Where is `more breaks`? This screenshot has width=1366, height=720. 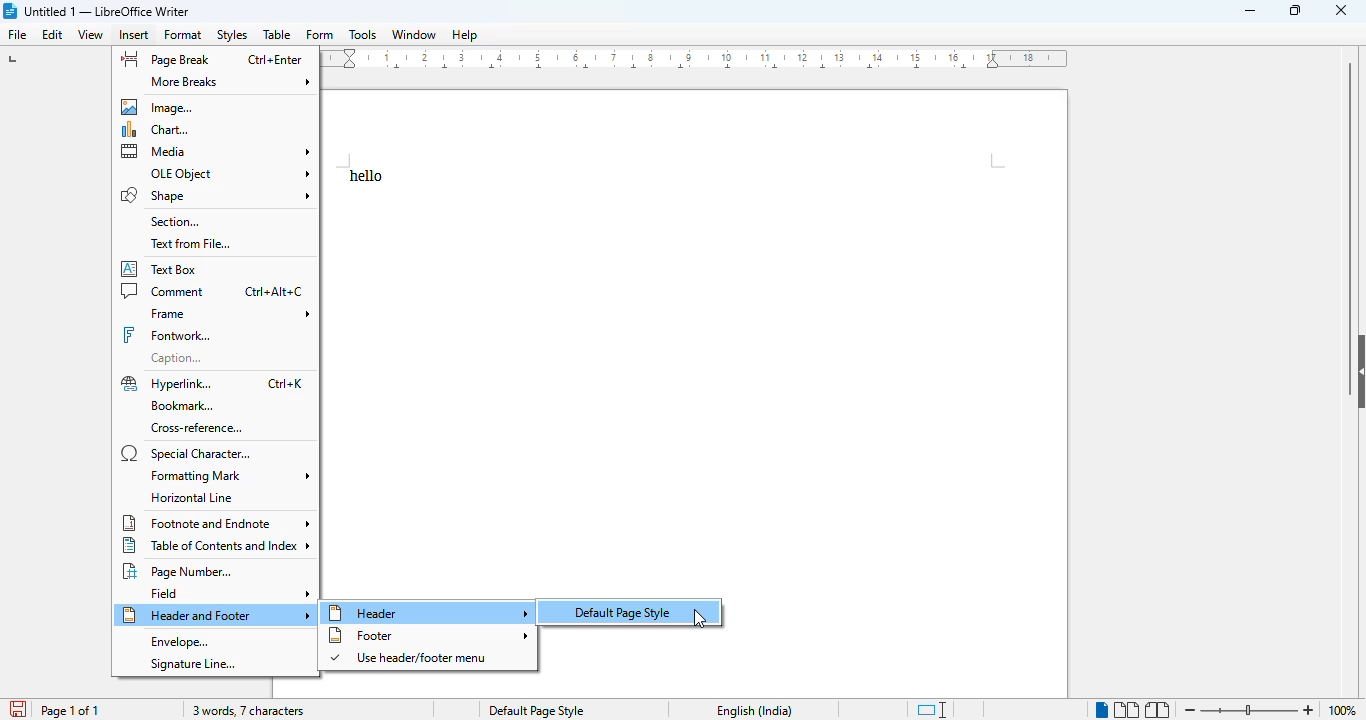
more breaks is located at coordinates (225, 82).